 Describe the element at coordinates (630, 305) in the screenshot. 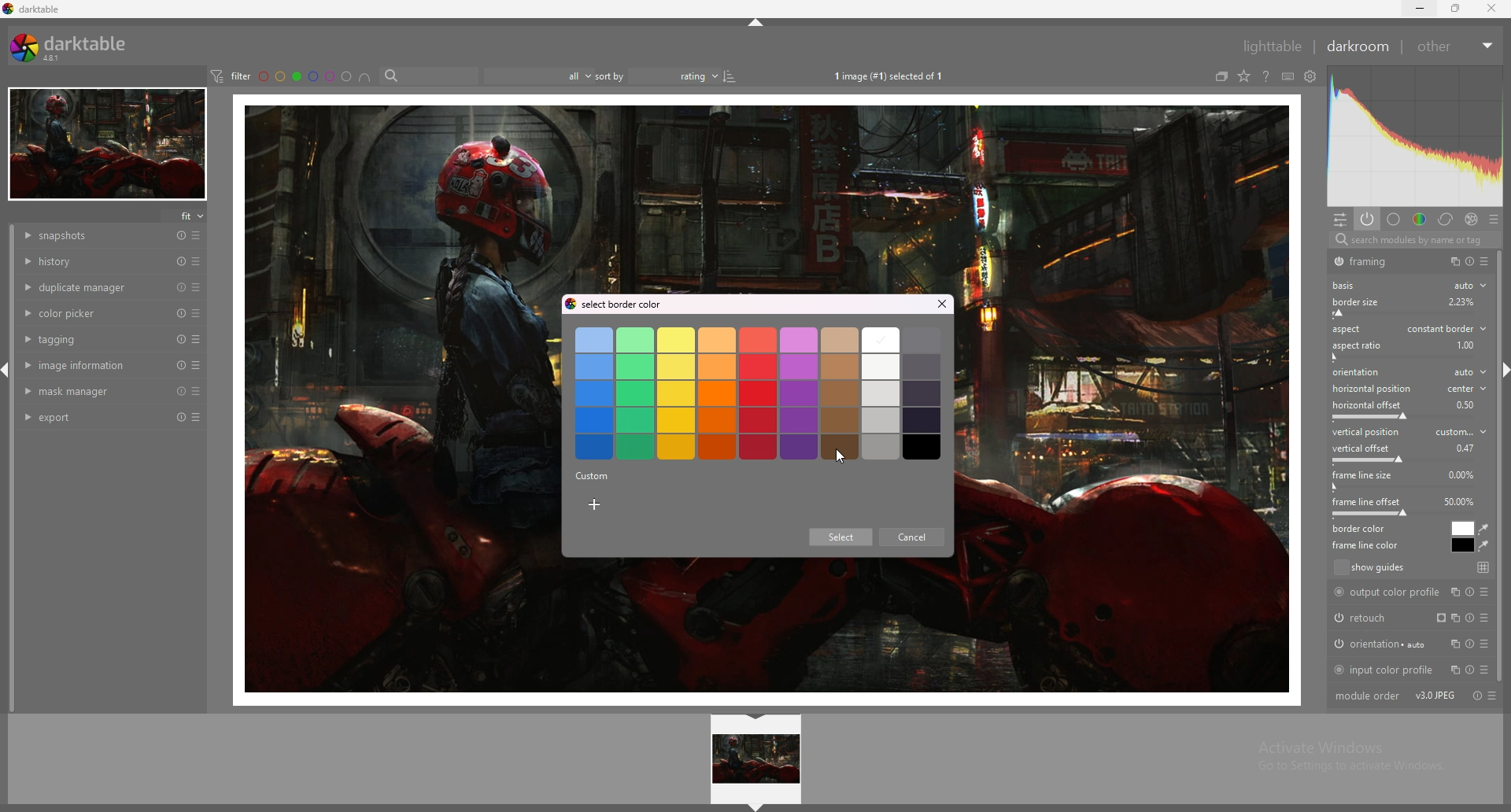

I see `select border color` at that location.